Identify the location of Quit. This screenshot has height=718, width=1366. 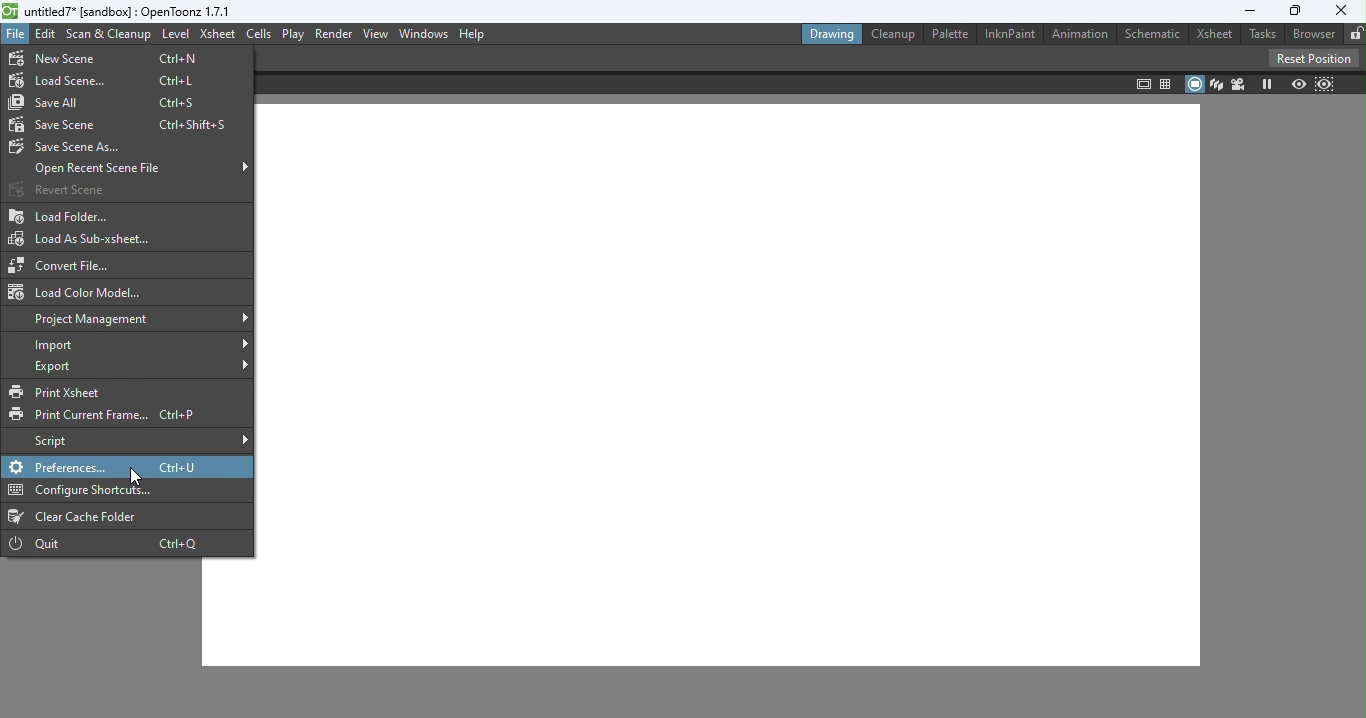
(113, 544).